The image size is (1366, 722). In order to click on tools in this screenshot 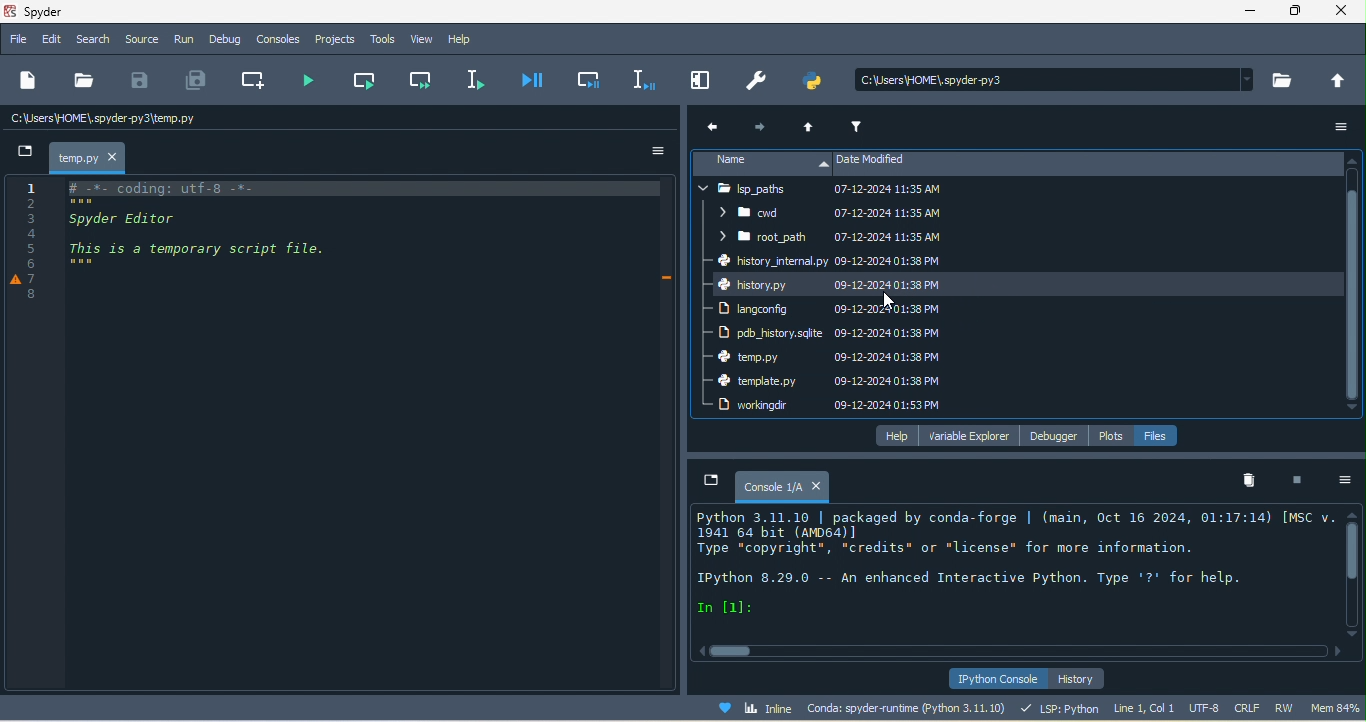, I will do `click(388, 38)`.